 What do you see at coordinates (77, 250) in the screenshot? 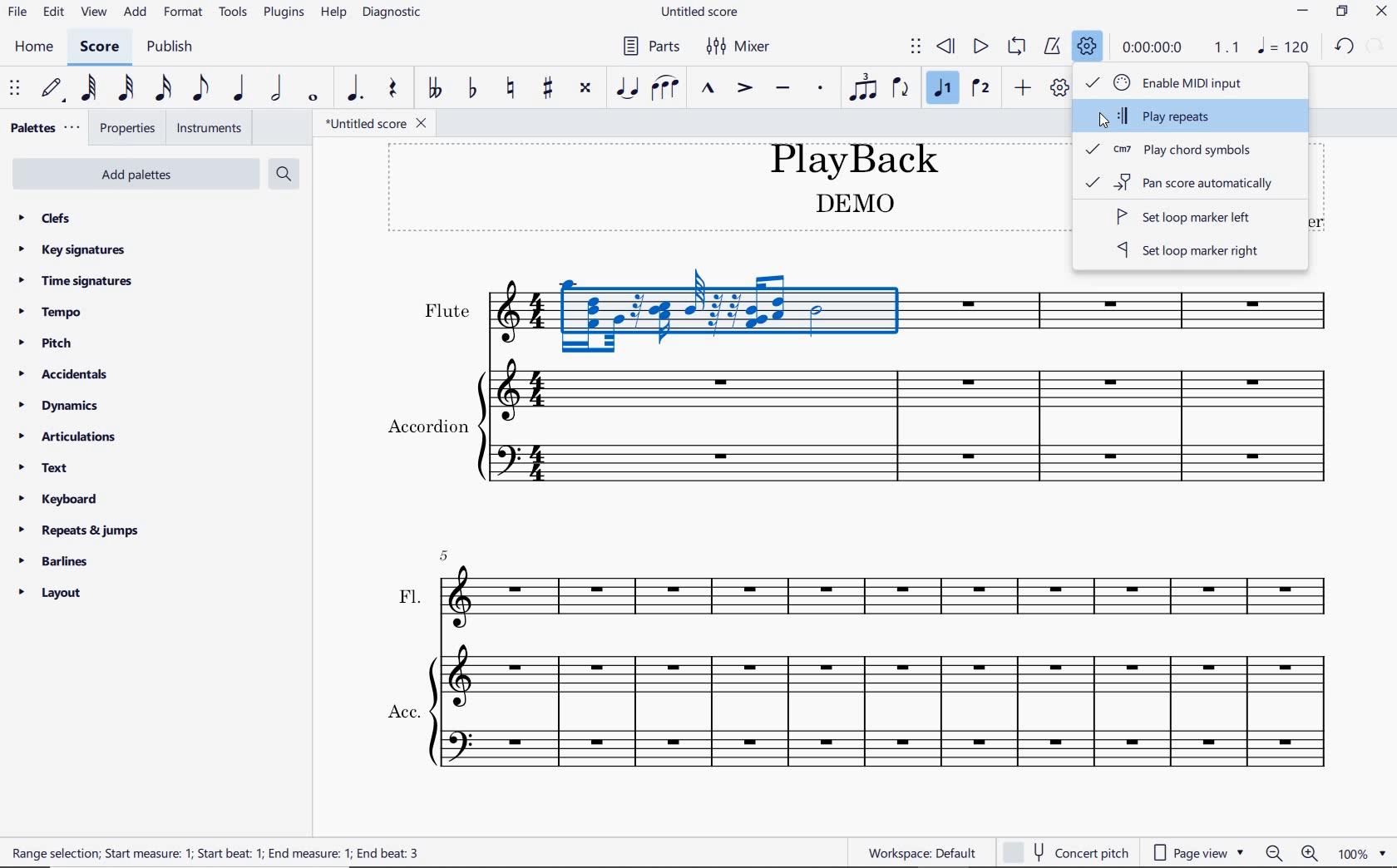
I see `key signatures` at bounding box center [77, 250].